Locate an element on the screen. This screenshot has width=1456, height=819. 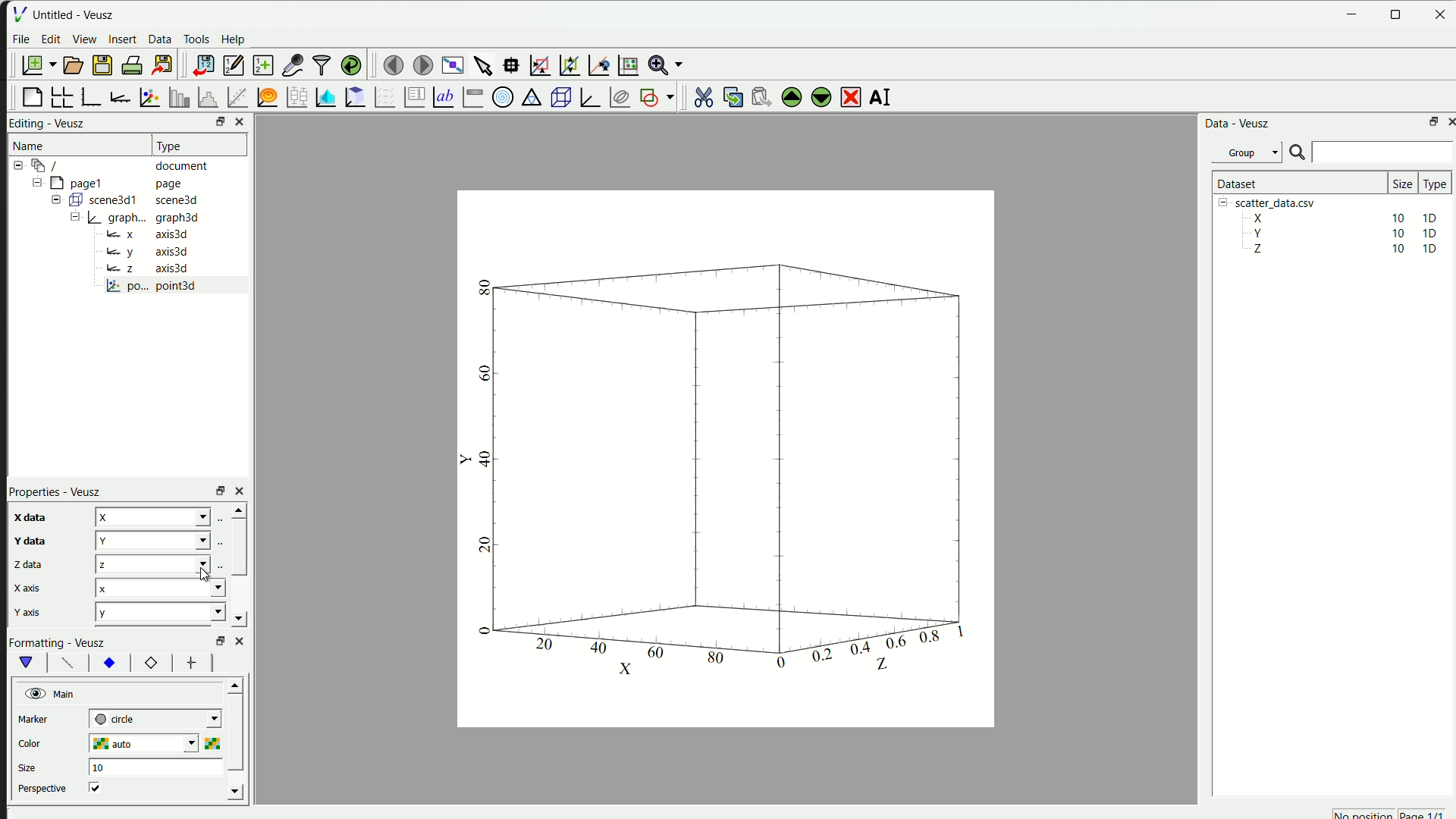
vShape is located at coordinates (27, 663).